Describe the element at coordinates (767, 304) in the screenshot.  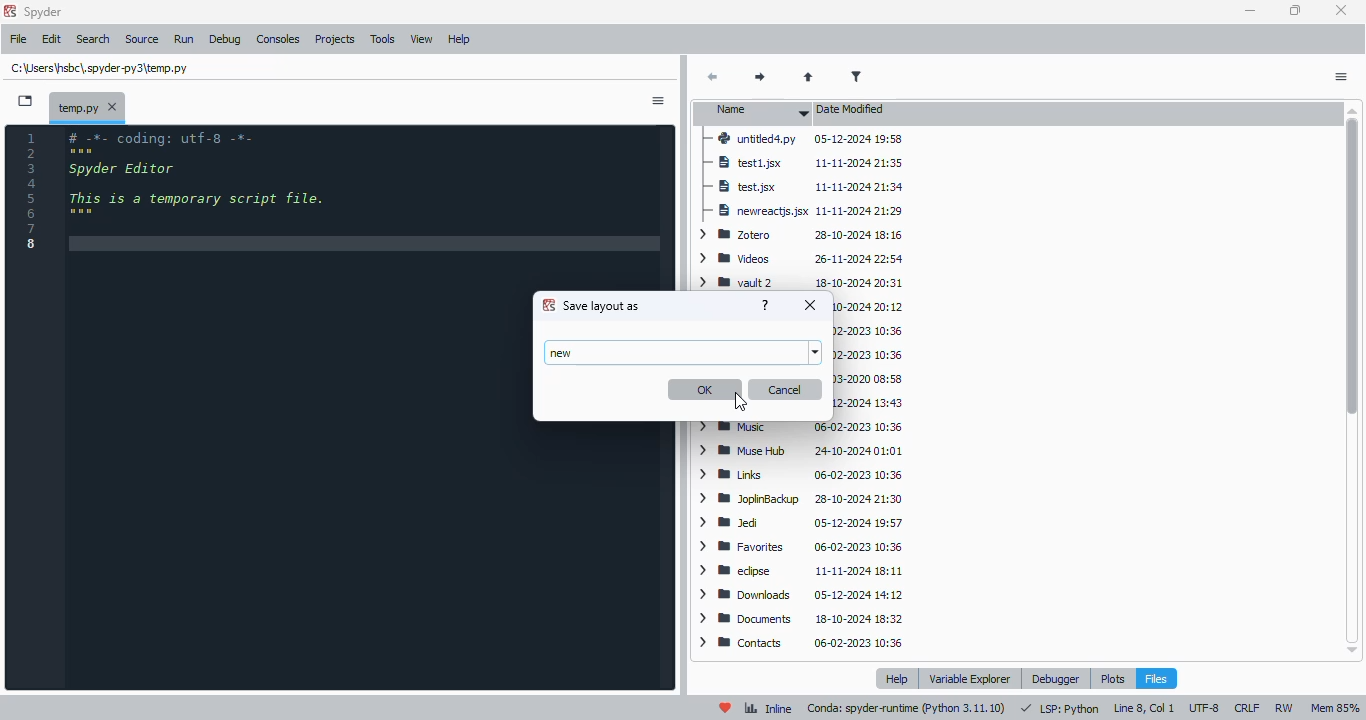
I see `help` at that location.